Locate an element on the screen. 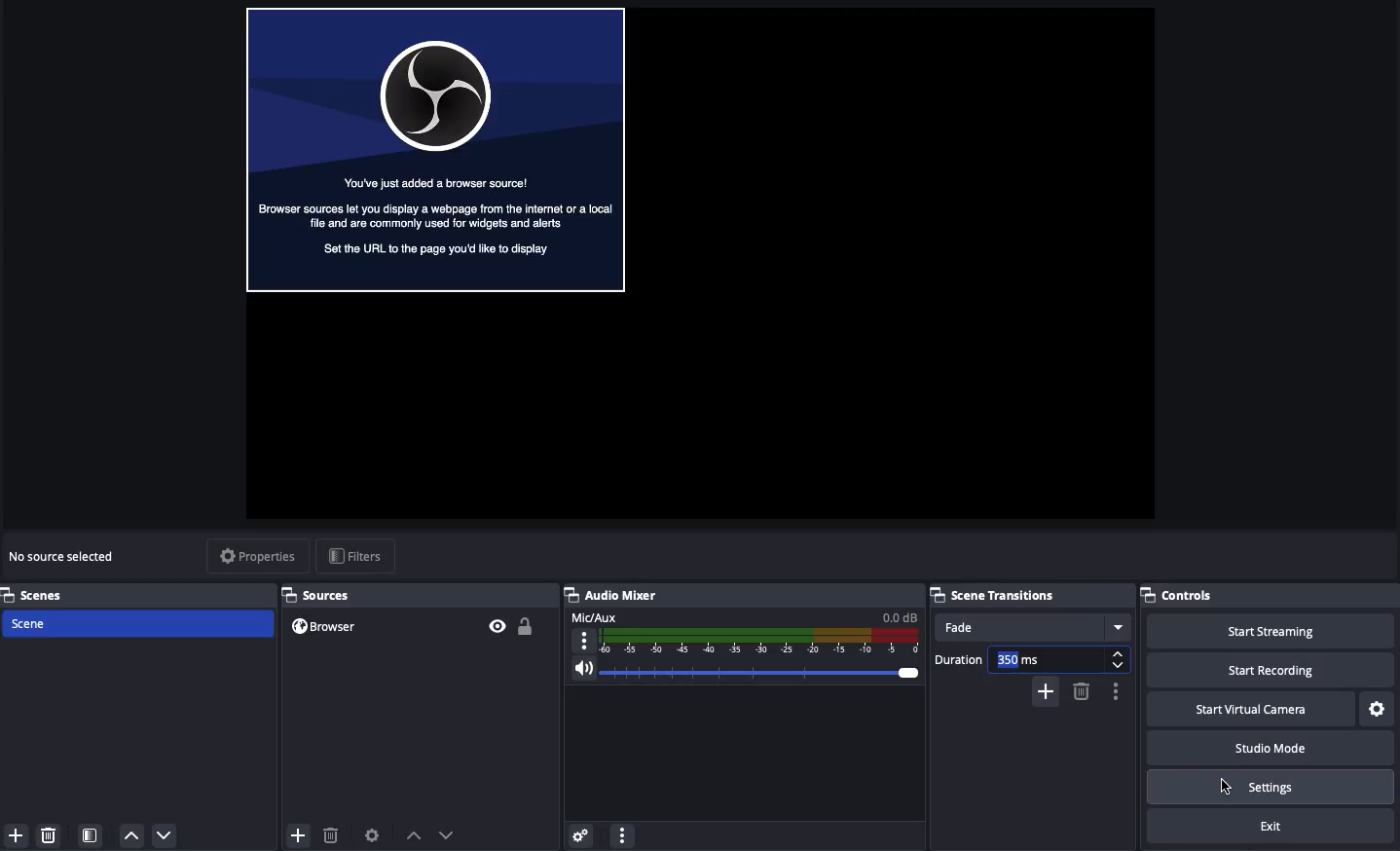  Duration is located at coordinates (1030, 660).